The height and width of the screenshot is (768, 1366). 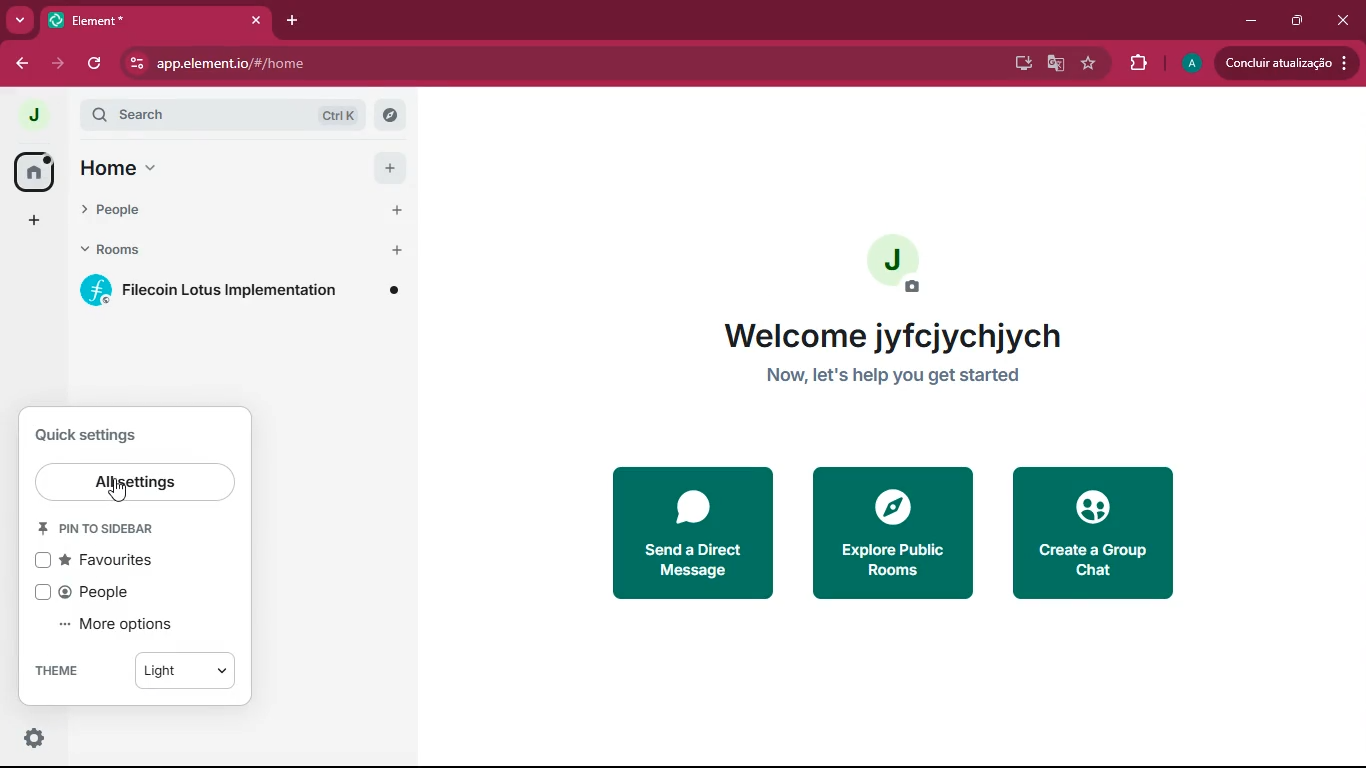 What do you see at coordinates (32, 116) in the screenshot?
I see `profile picture` at bounding box center [32, 116].